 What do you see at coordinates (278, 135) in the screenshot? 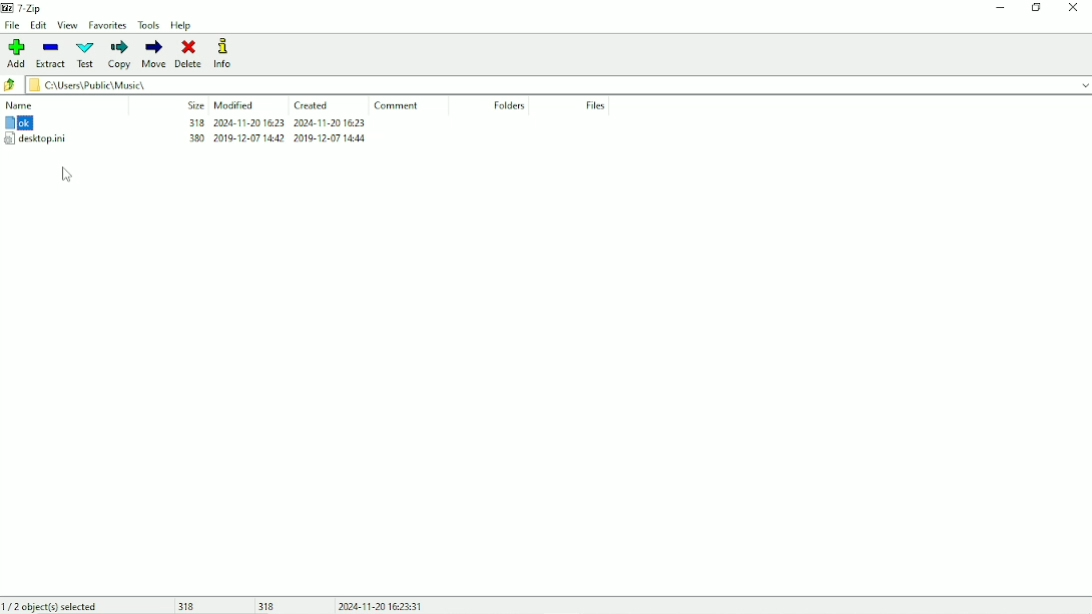
I see `318 2024-11-201623 2024-11-20 1623
MW 200207140 2016-207 kd` at bounding box center [278, 135].